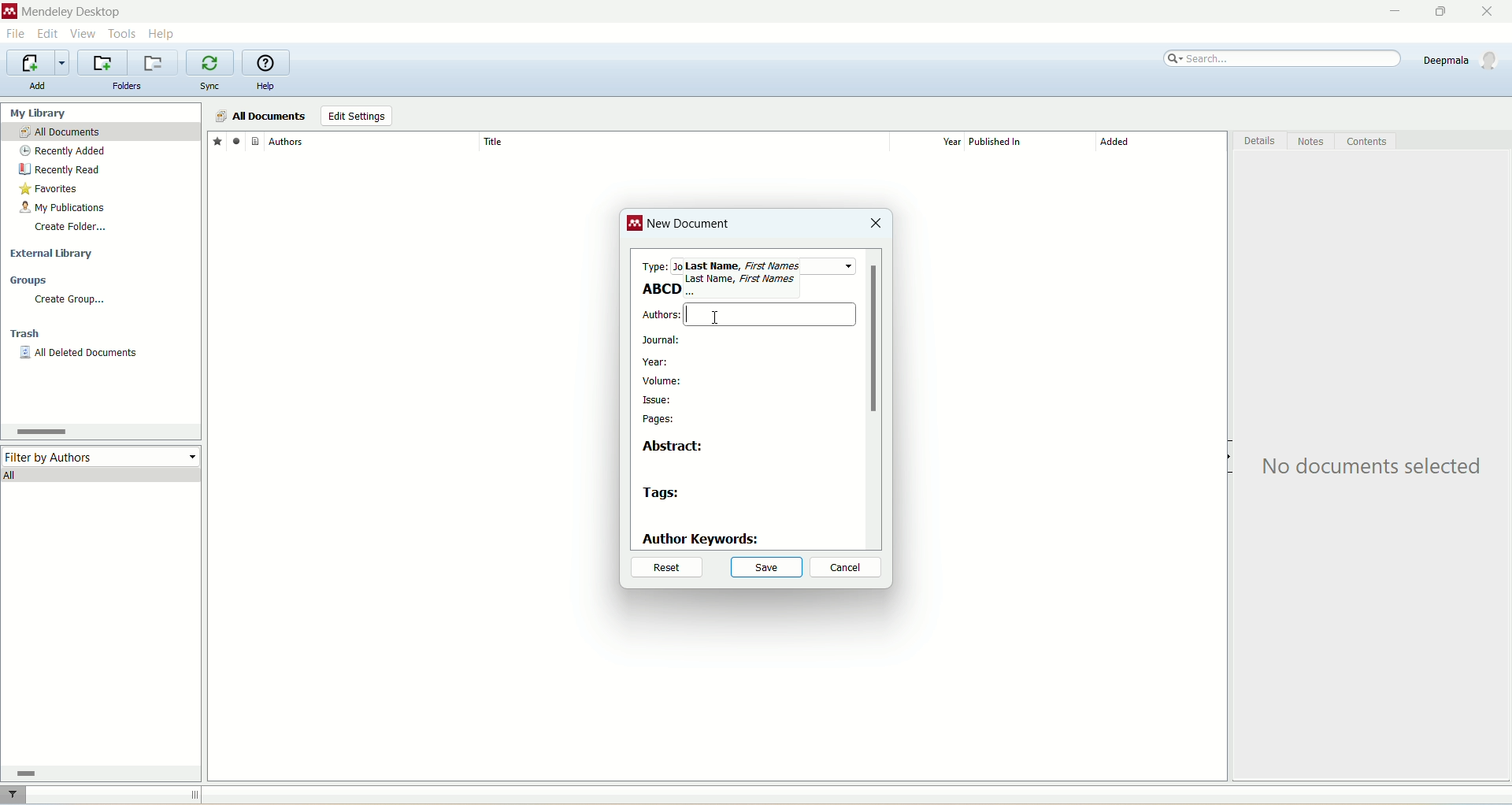 Image resolution: width=1512 pixels, height=805 pixels. I want to click on minimize, so click(1392, 12).